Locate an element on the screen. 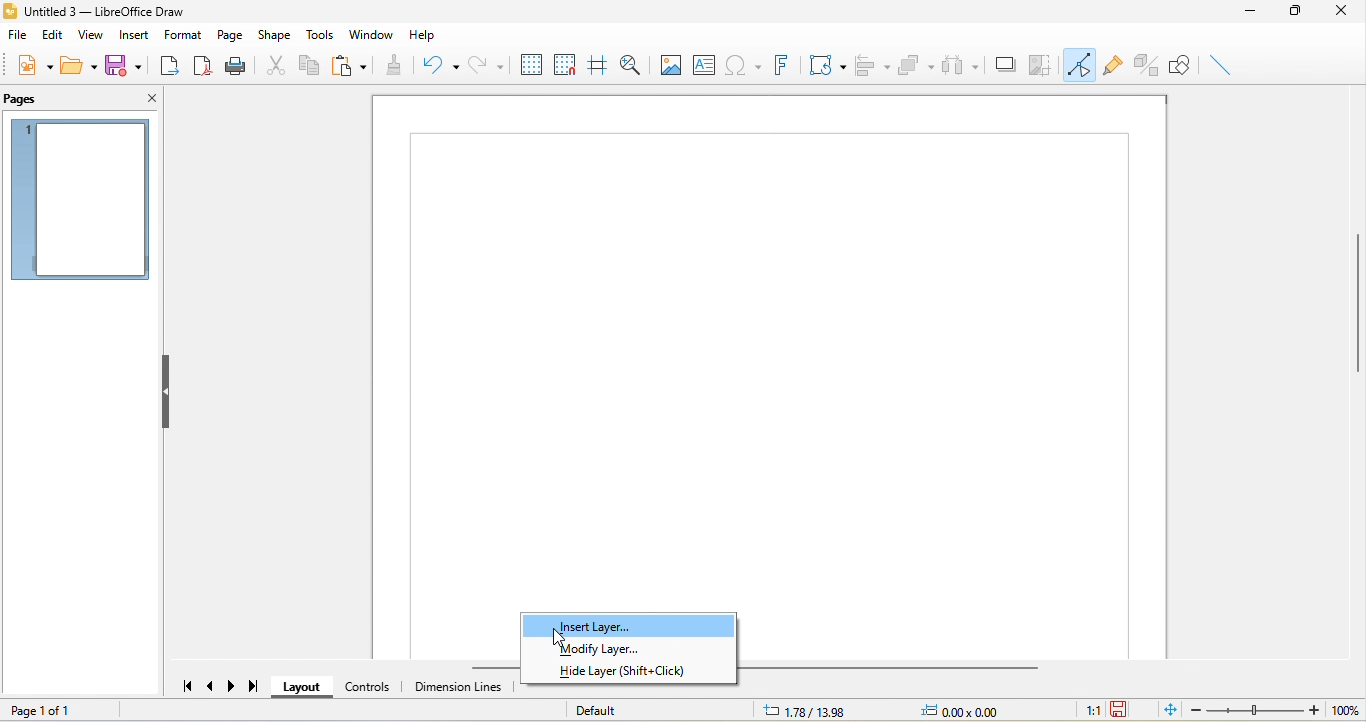  save is located at coordinates (129, 65).